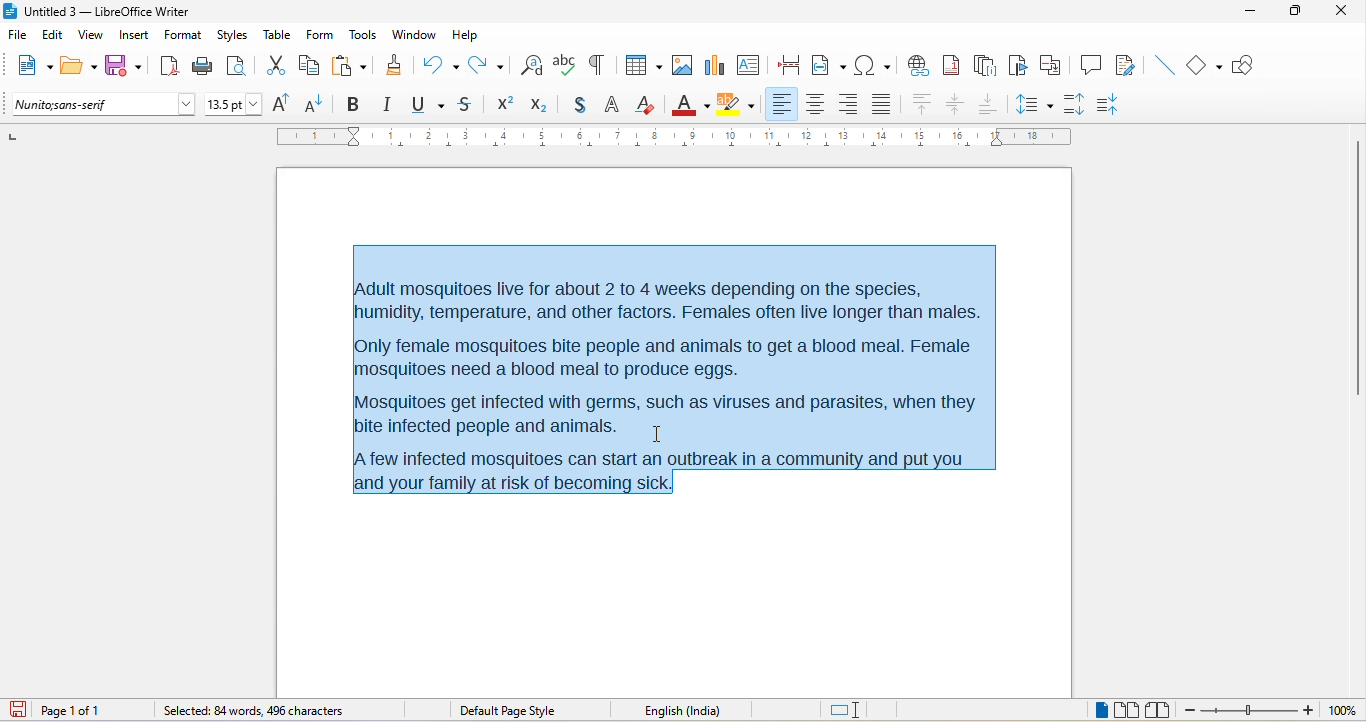  Describe the element at coordinates (713, 64) in the screenshot. I see `chart` at that location.